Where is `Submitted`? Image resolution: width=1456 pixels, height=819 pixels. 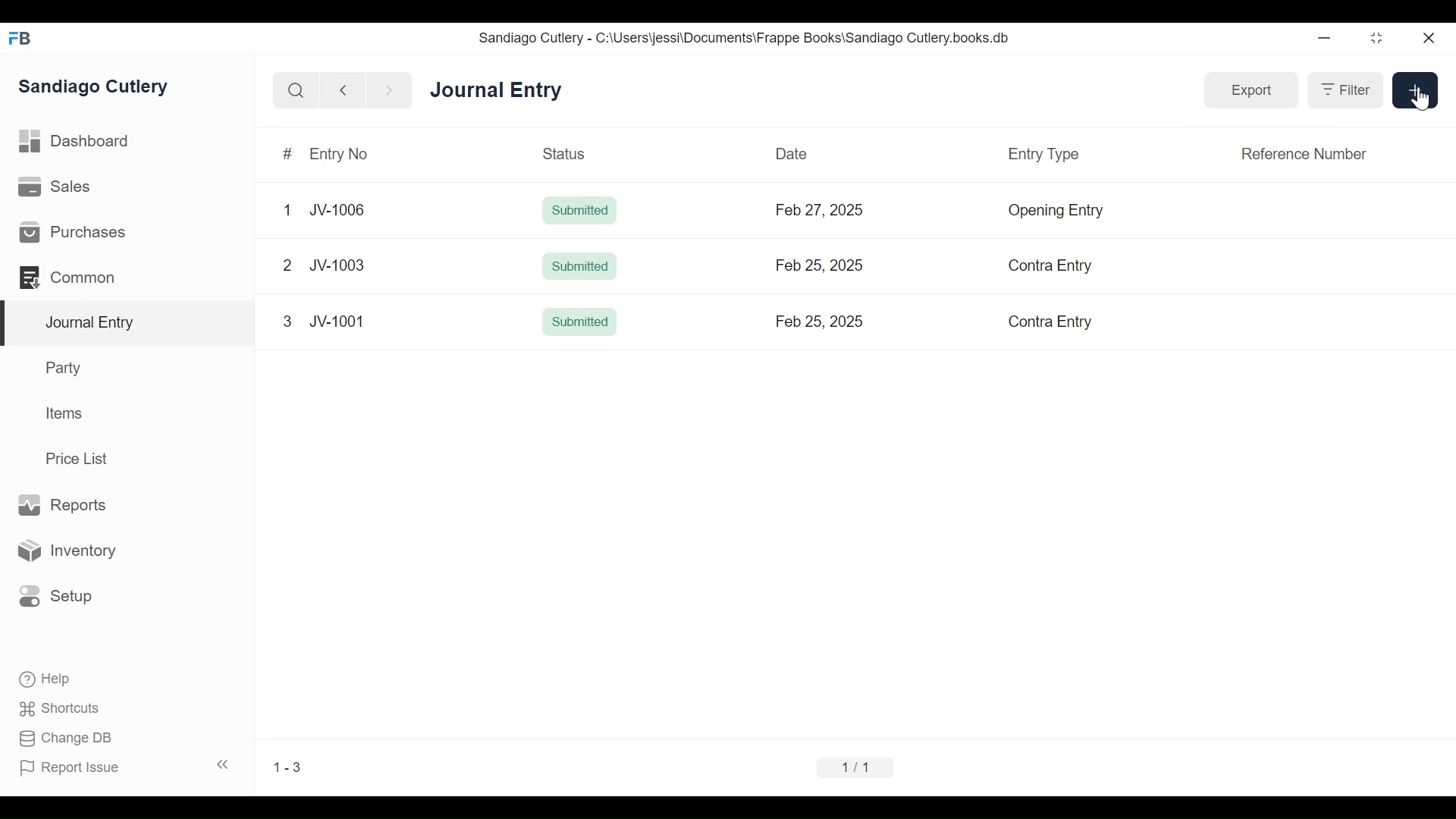
Submitted is located at coordinates (579, 266).